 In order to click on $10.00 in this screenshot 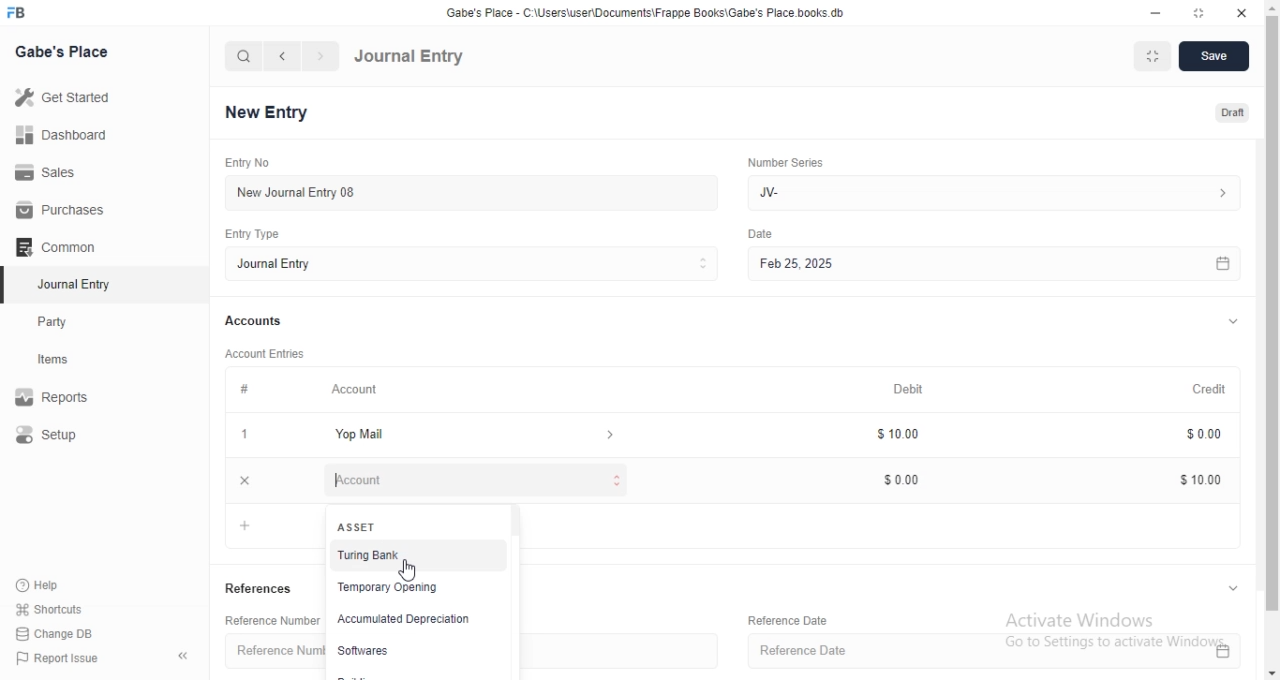, I will do `click(1203, 478)`.